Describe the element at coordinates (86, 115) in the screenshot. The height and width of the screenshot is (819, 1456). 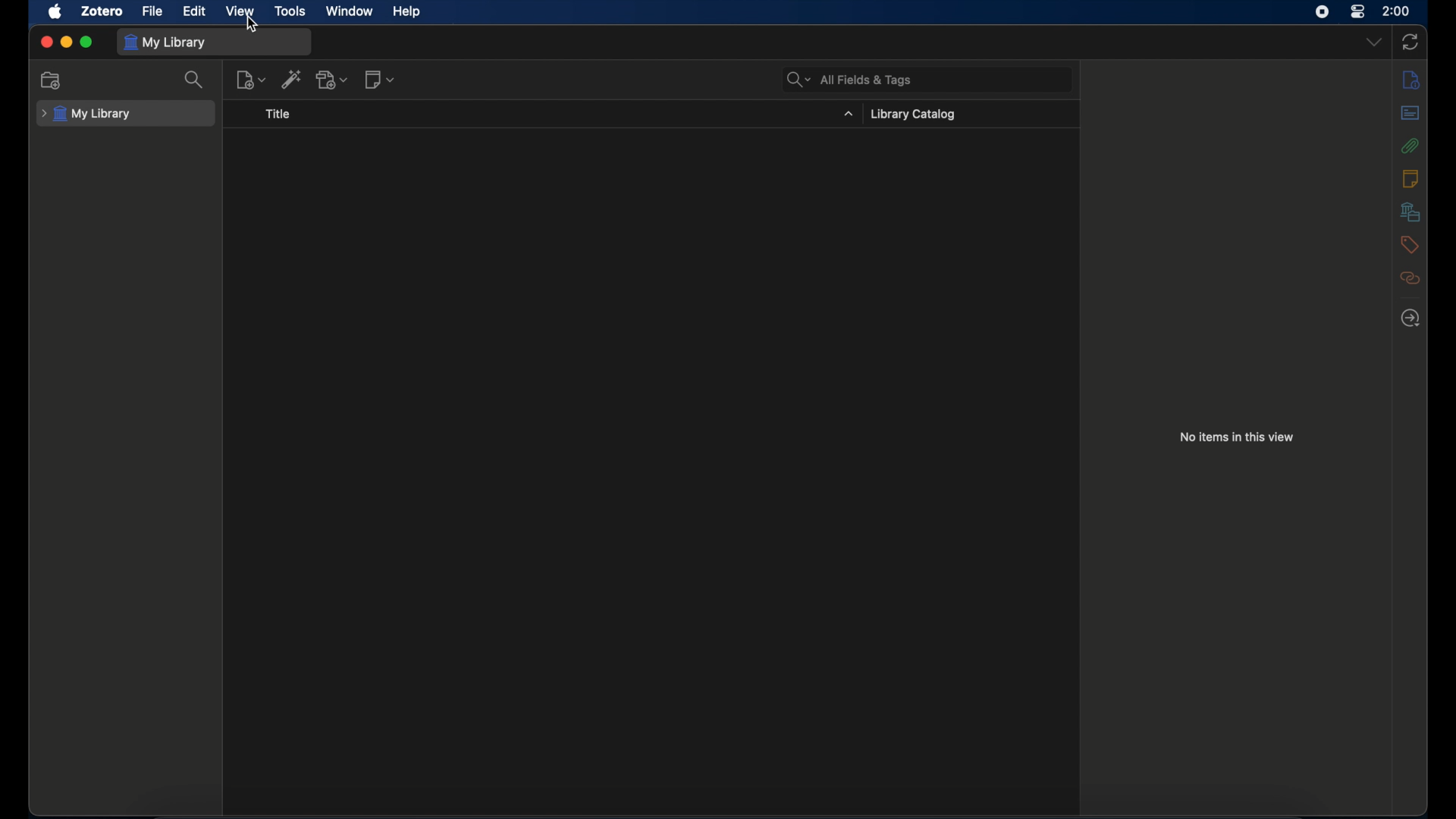
I see `my library` at that location.